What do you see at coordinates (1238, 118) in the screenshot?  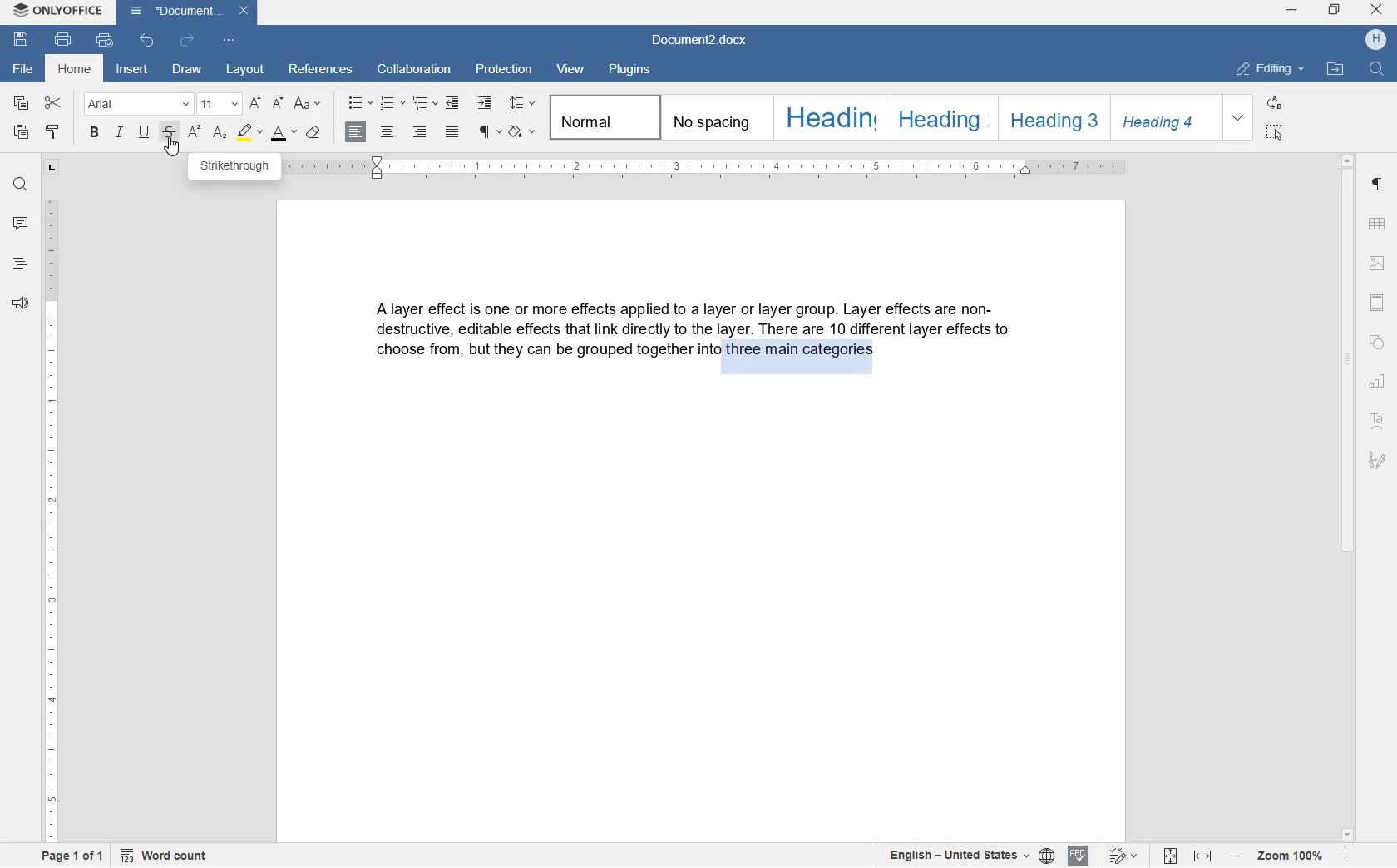 I see `expand formatting style` at bounding box center [1238, 118].